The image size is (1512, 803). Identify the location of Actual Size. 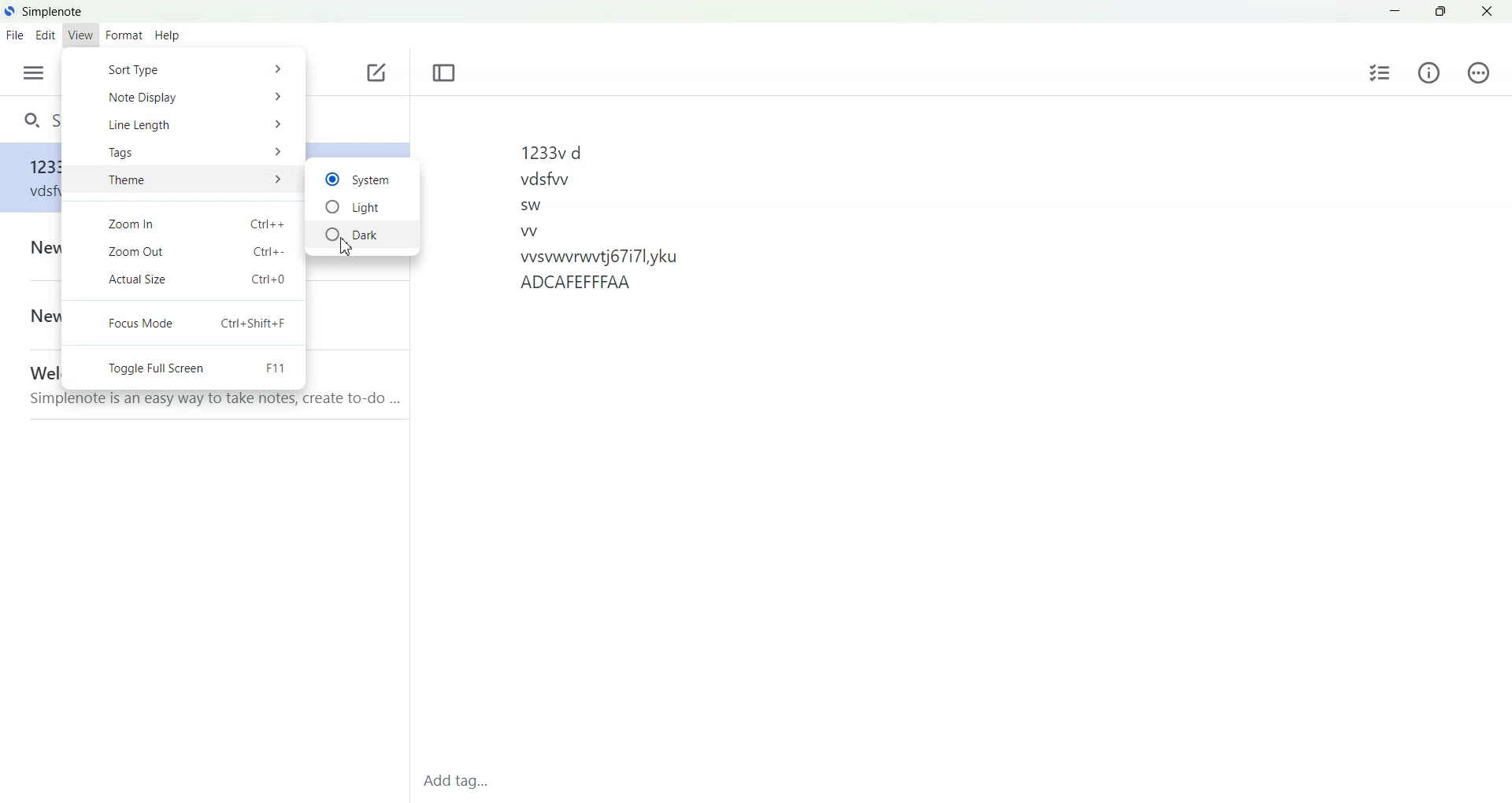
(183, 283).